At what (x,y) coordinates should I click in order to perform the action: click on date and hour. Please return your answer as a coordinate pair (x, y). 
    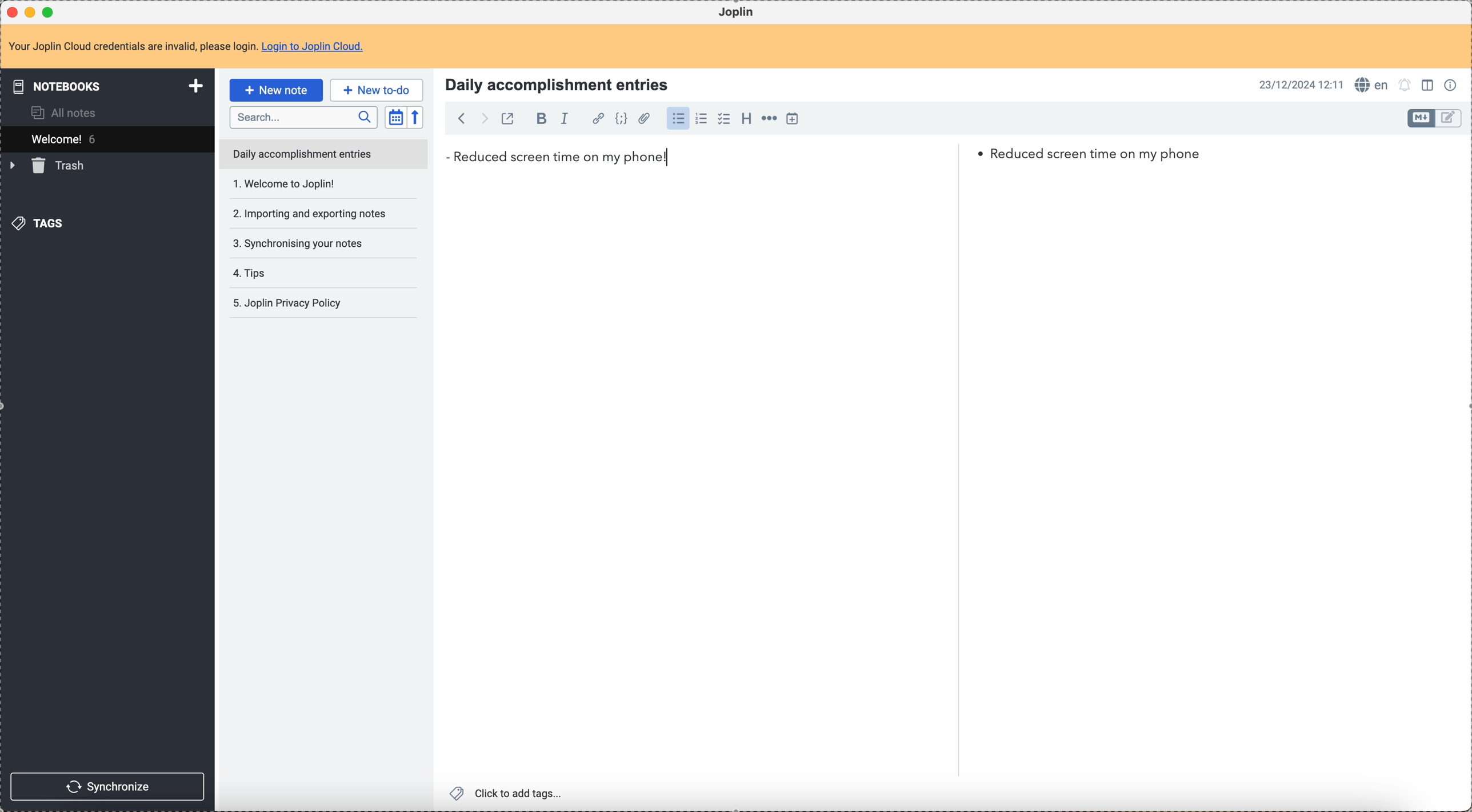
    Looking at the image, I should click on (1299, 85).